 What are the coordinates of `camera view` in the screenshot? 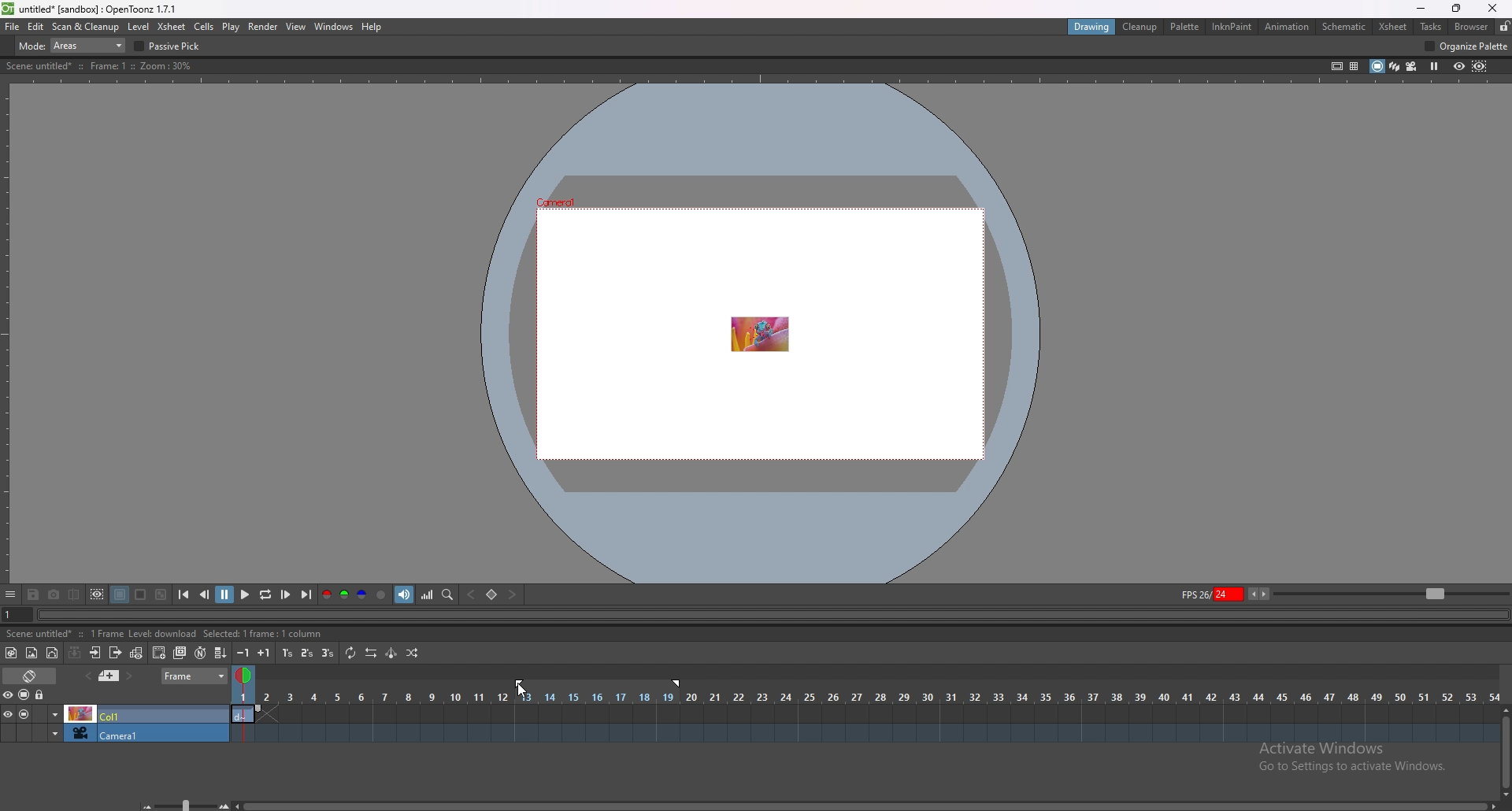 It's located at (1412, 66).